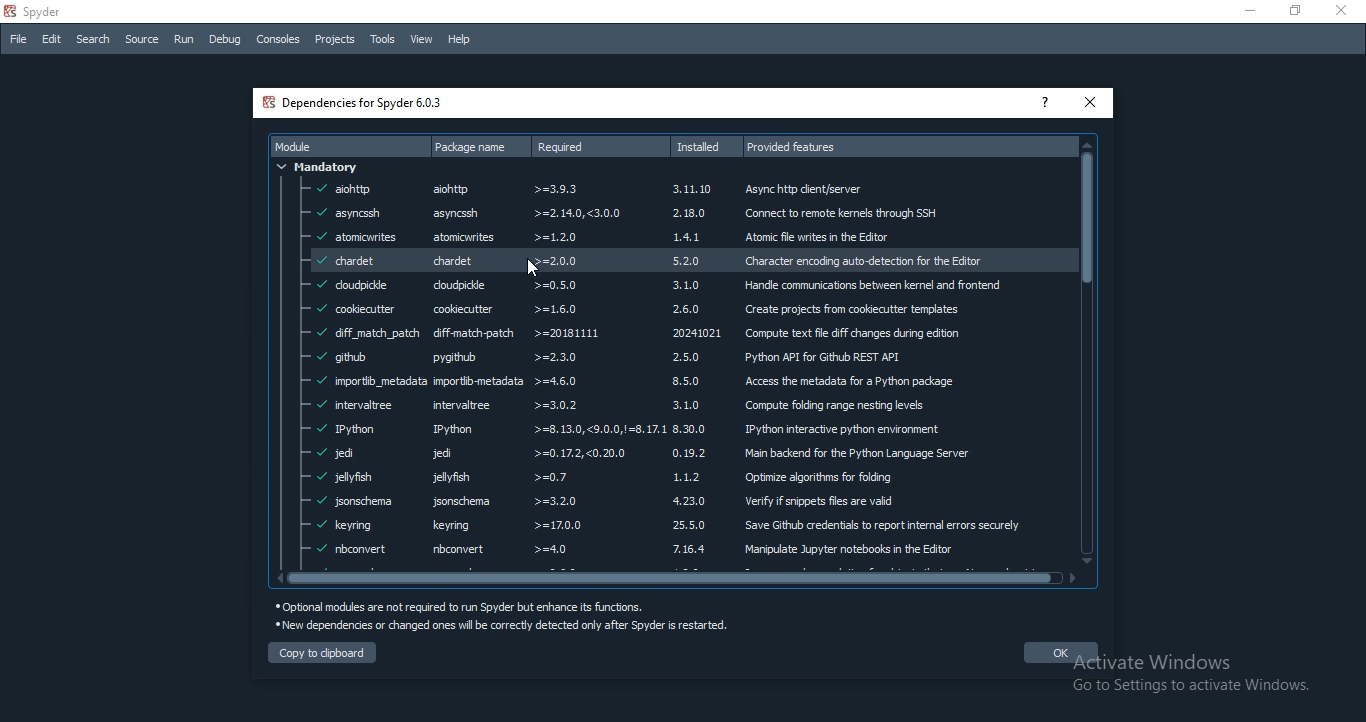 The width and height of the screenshot is (1366, 722). I want to click on Minimise, so click(1247, 13).